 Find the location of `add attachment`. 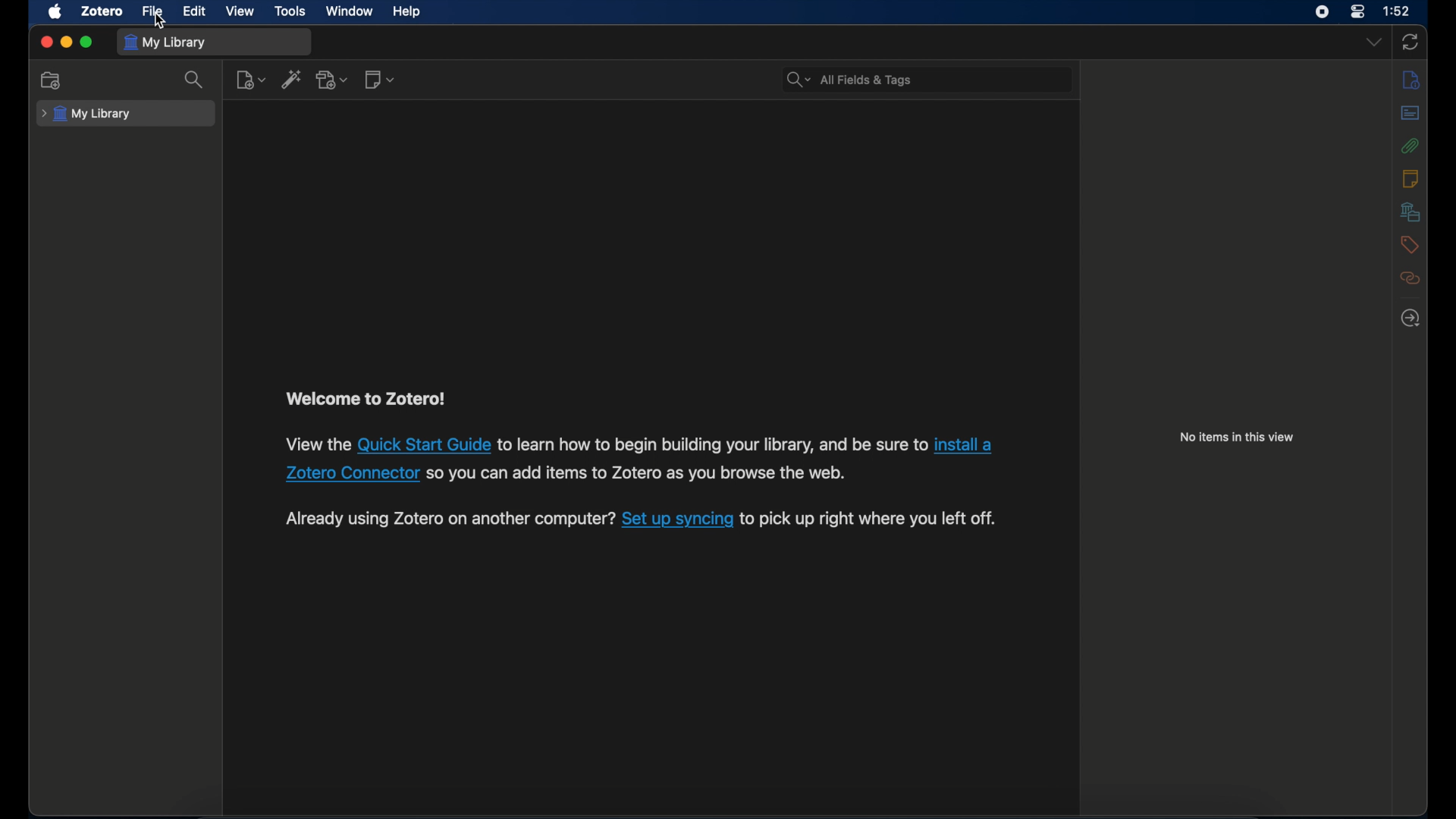

add attachment is located at coordinates (333, 79).